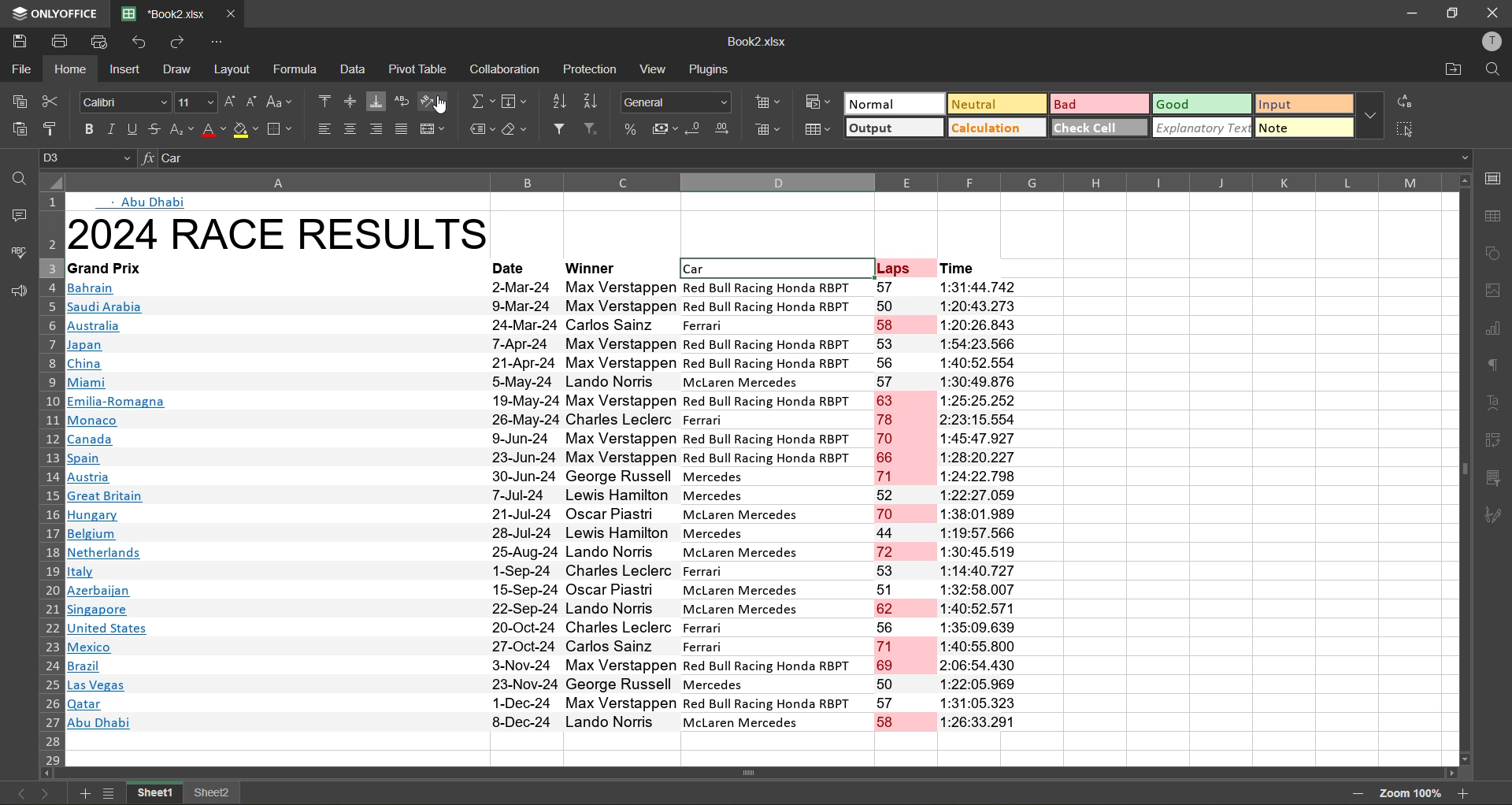 This screenshot has width=1512, height=805. What do you see at coordinates (55, 128) in the screenshot?
I see `copy style` at bounding box center [55, 128].